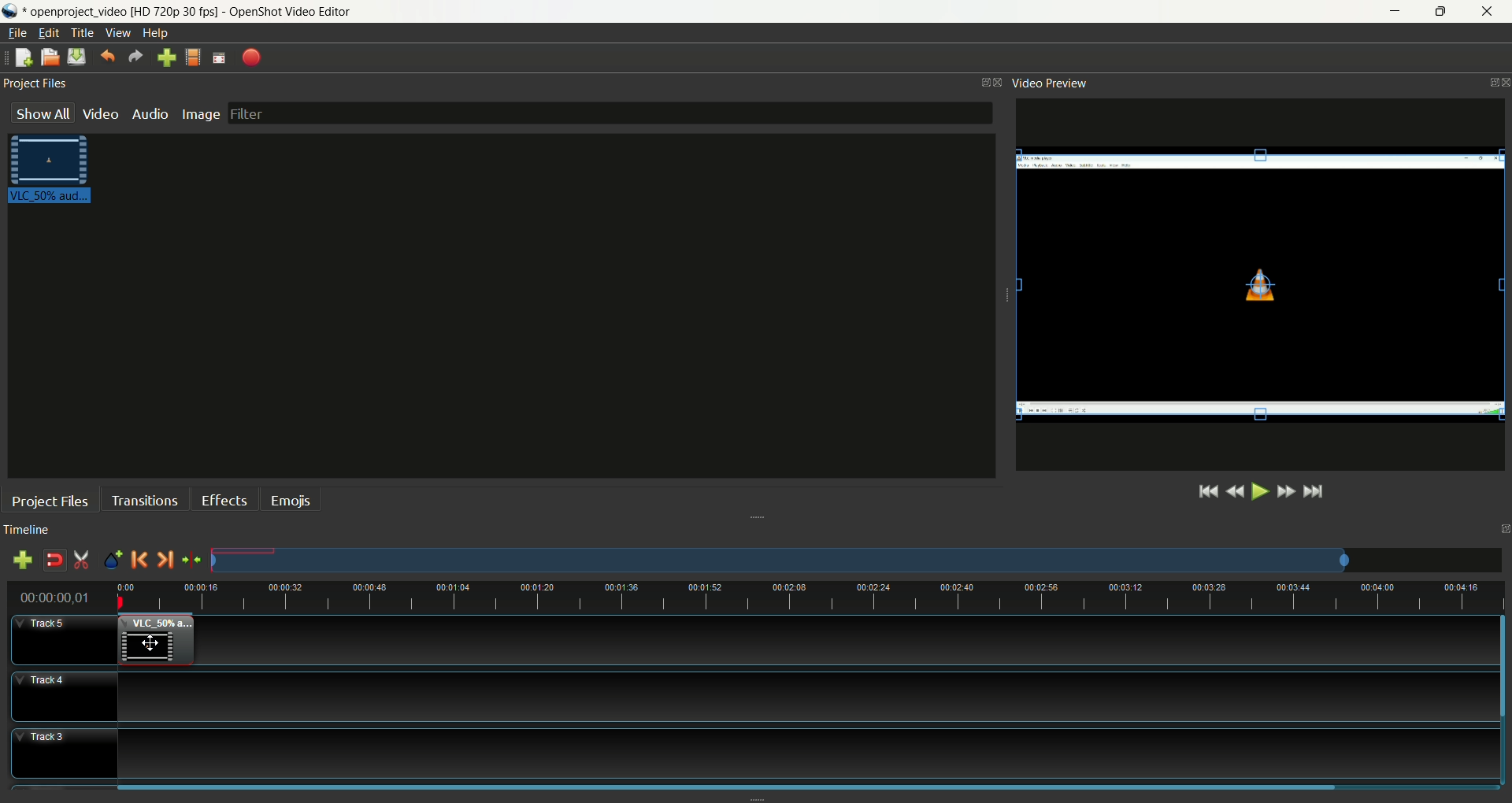 The height and width of the screenshot is (803, 1512). I want to click on fullscreen, so click(217, 58).